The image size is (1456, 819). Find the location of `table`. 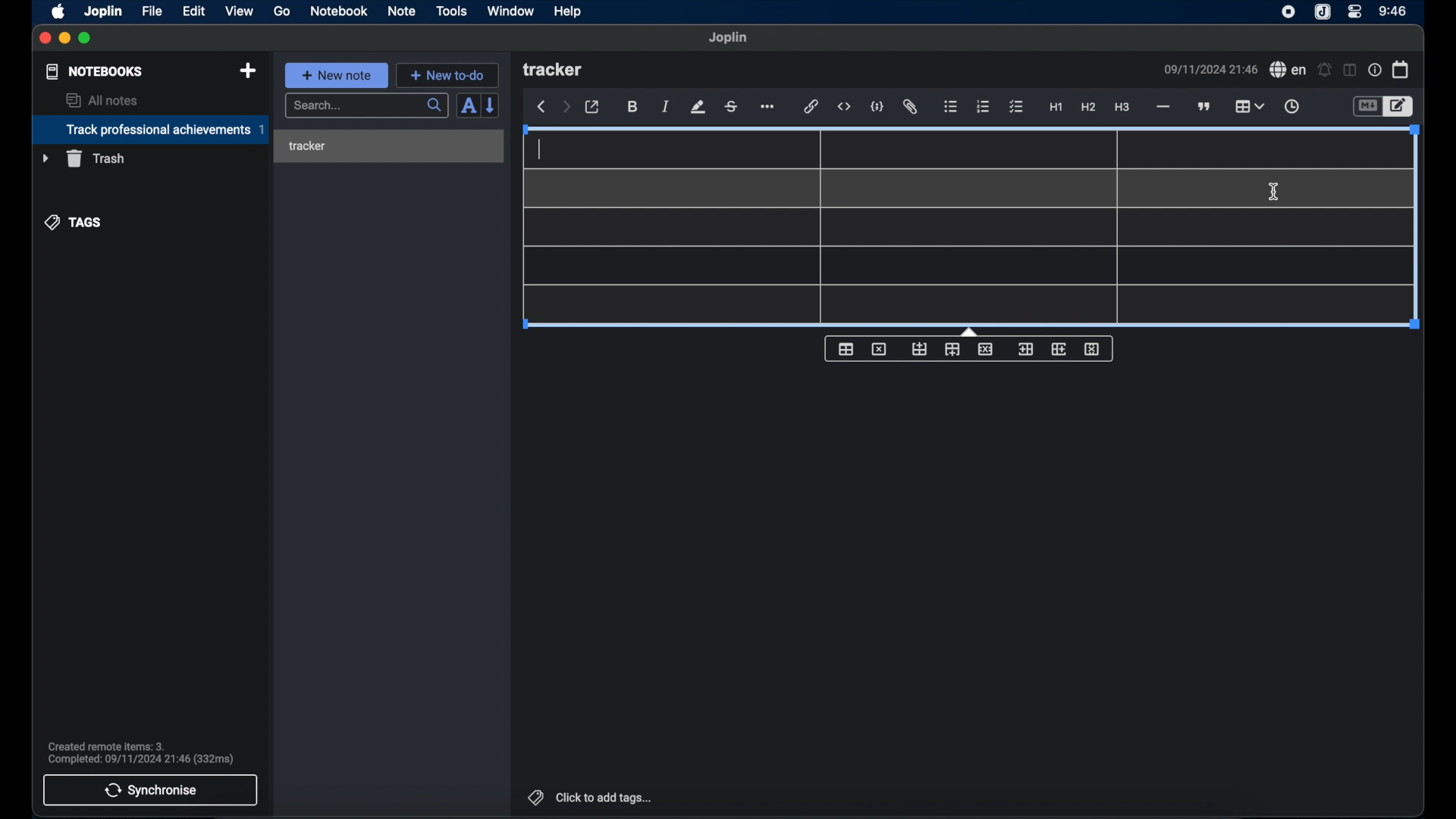

table is located at coordinates (968, 227).